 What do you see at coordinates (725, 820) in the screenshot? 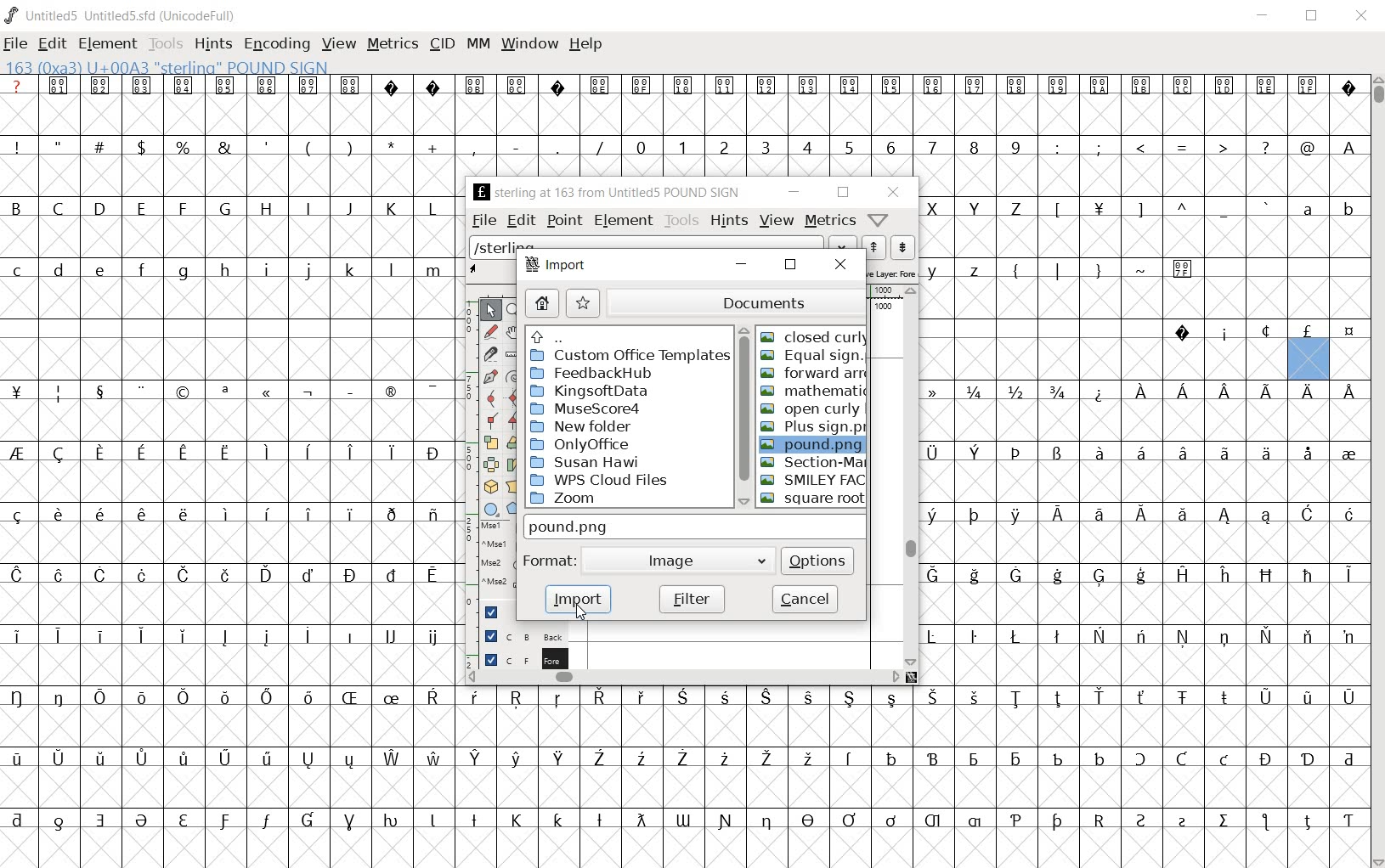
I see `Symbol` at bounding box center [725, 820].